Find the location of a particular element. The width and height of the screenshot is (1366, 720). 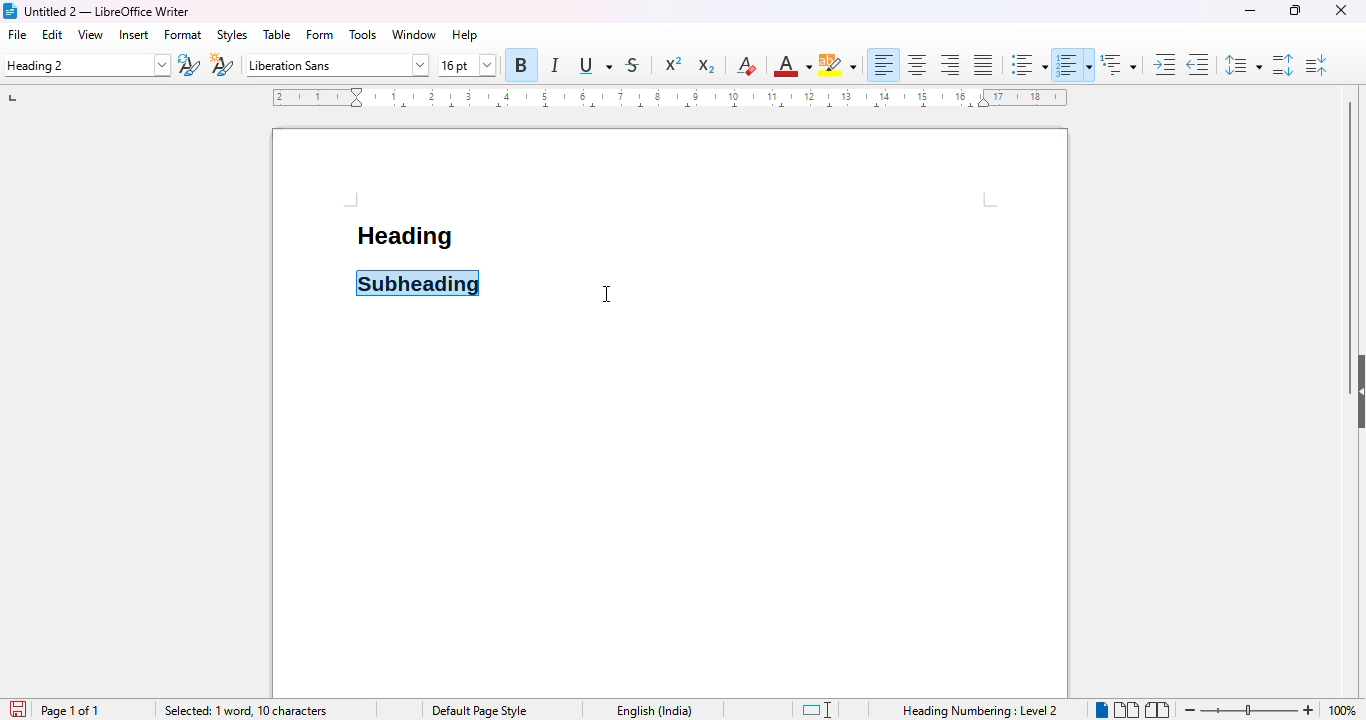

toggle unordered list is located at coordinates (1030, 65).